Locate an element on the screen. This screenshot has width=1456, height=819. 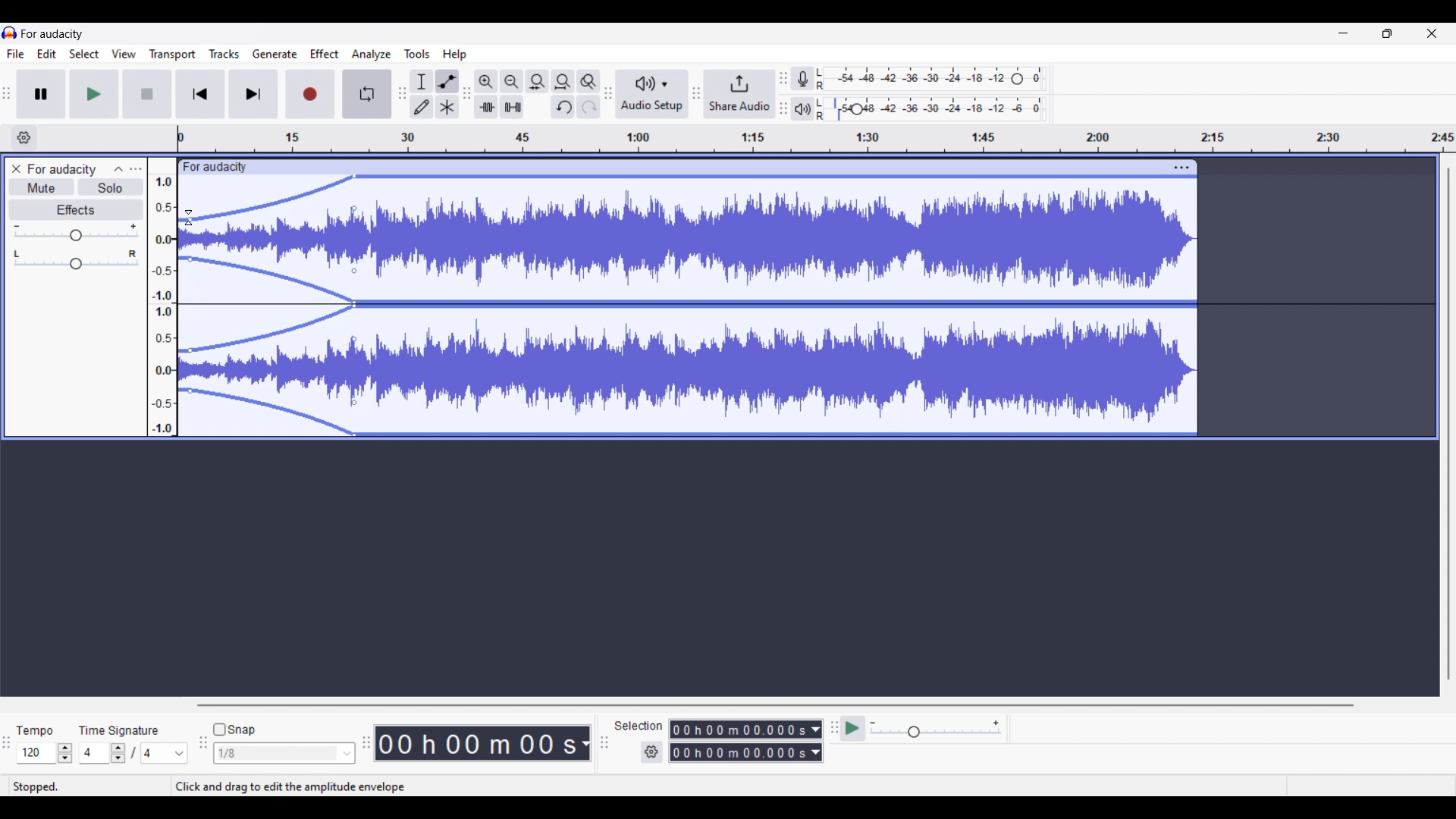
Zoom out is located at coordinates (513, 81).